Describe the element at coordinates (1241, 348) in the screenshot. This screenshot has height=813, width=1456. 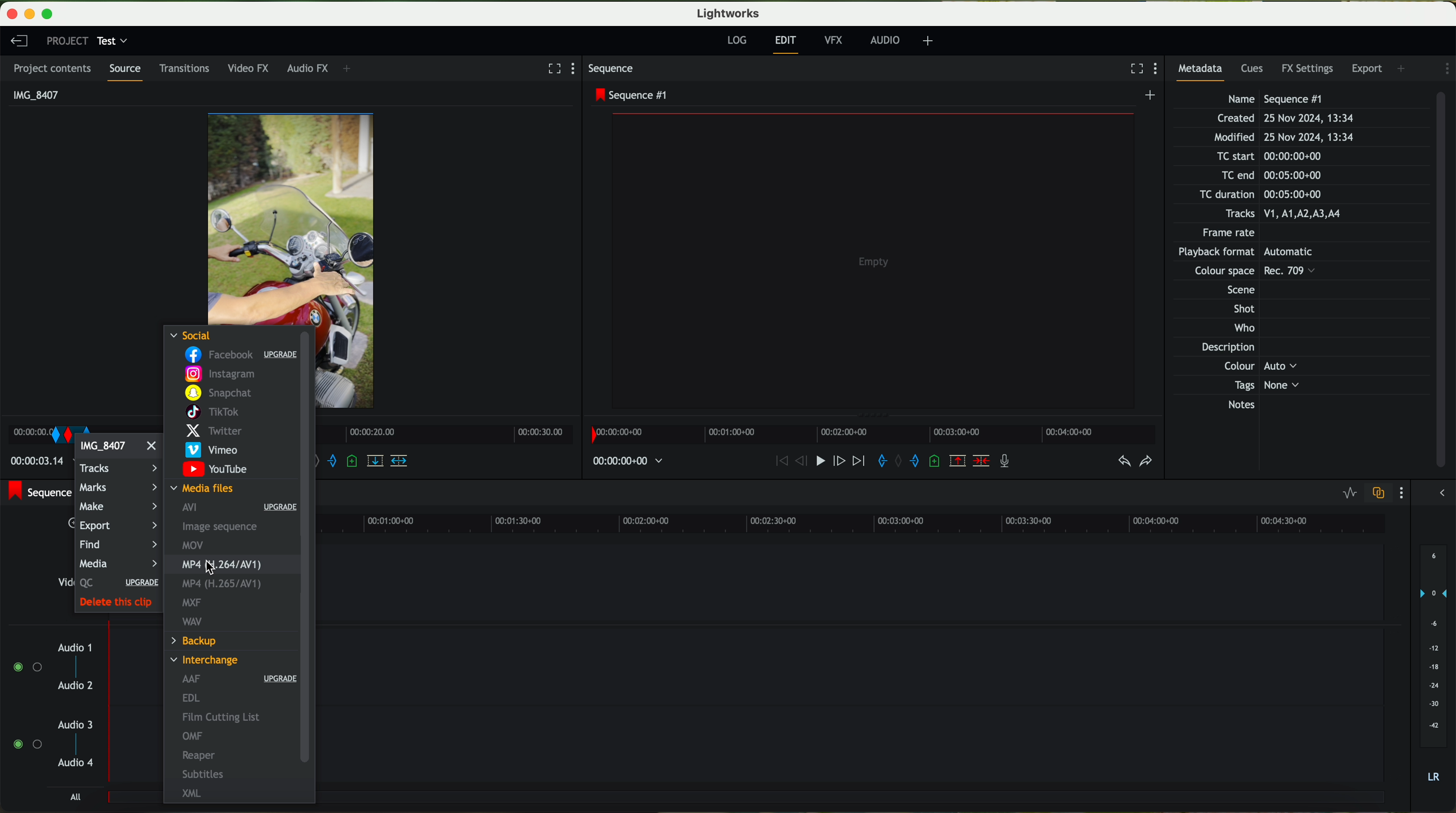
I see `Description` at that location.